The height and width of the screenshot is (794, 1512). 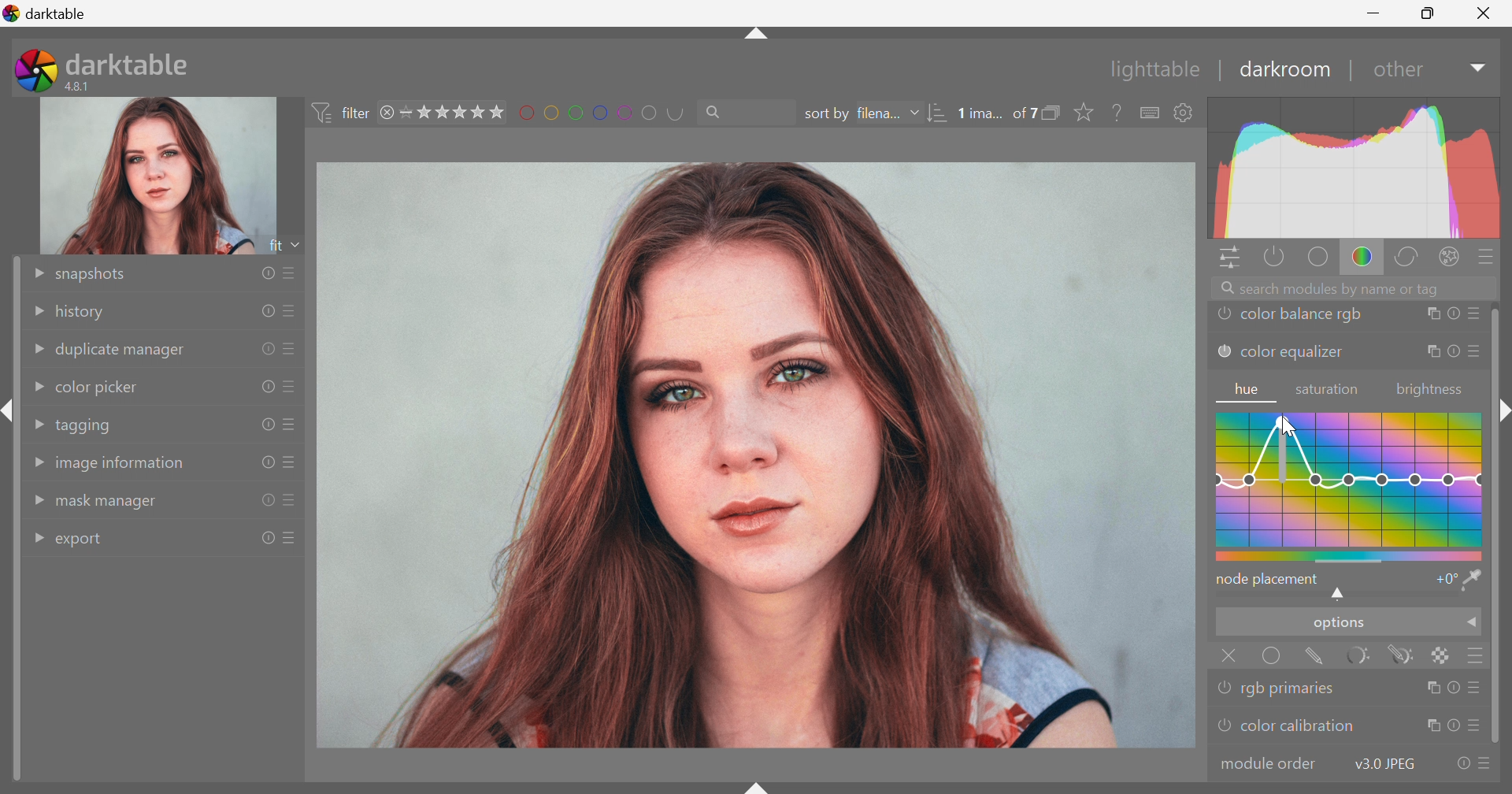 I want to click on presets, so click(x=292, y=270).